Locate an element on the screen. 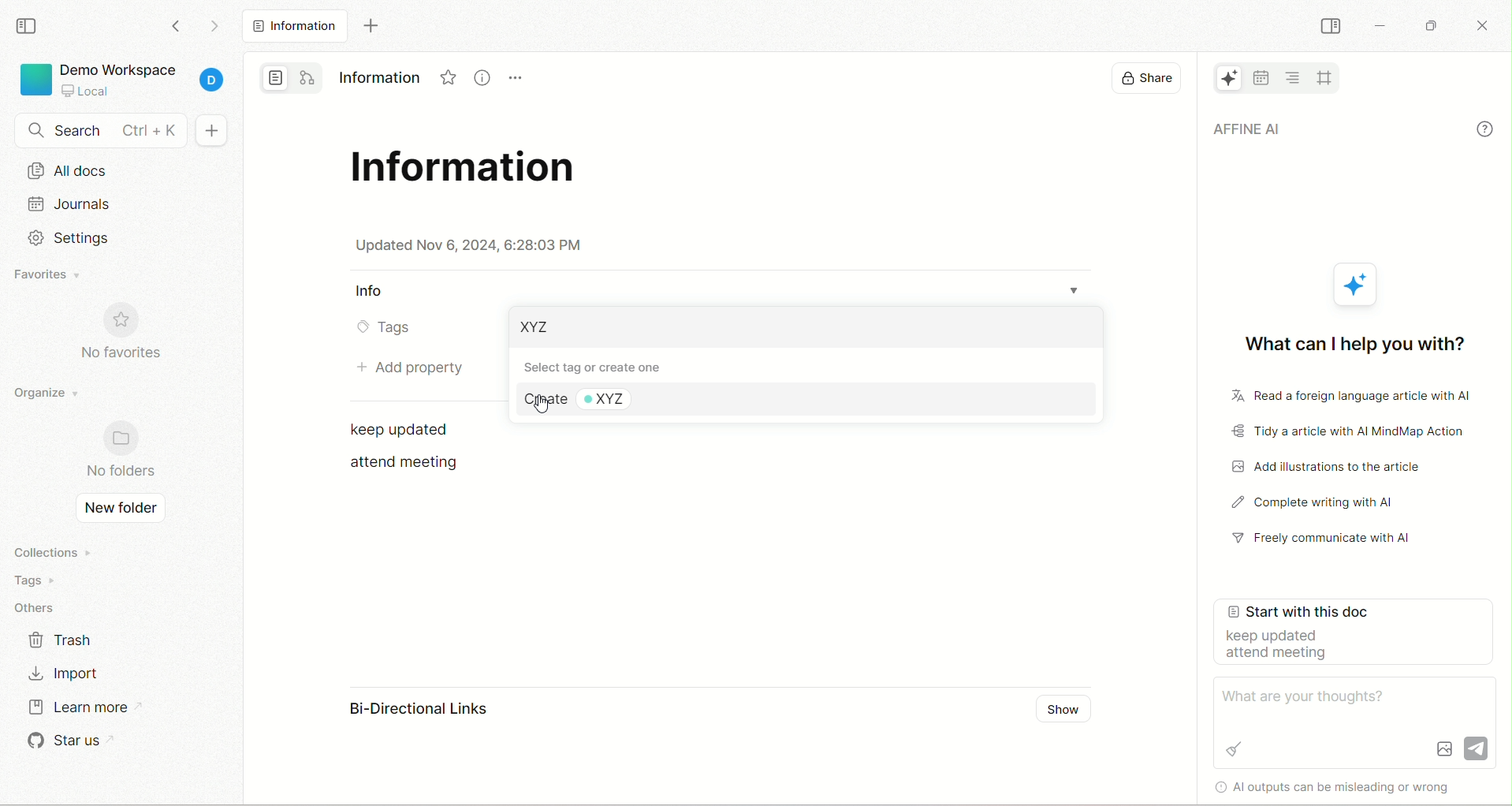 Image resolution: width=1512 pixels, height=806 pixels. minimize is located at coordinates (1380, 26).